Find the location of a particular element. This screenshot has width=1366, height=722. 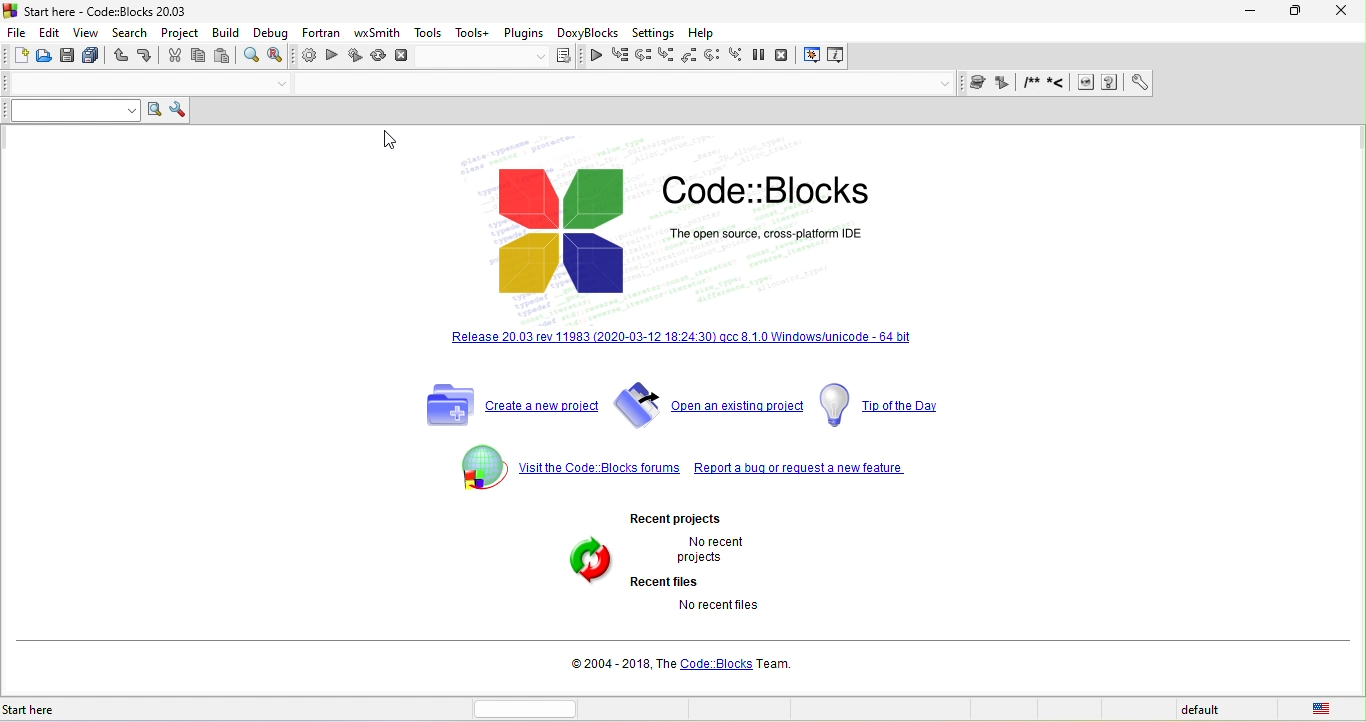

project is located at coordinates (179, 31).